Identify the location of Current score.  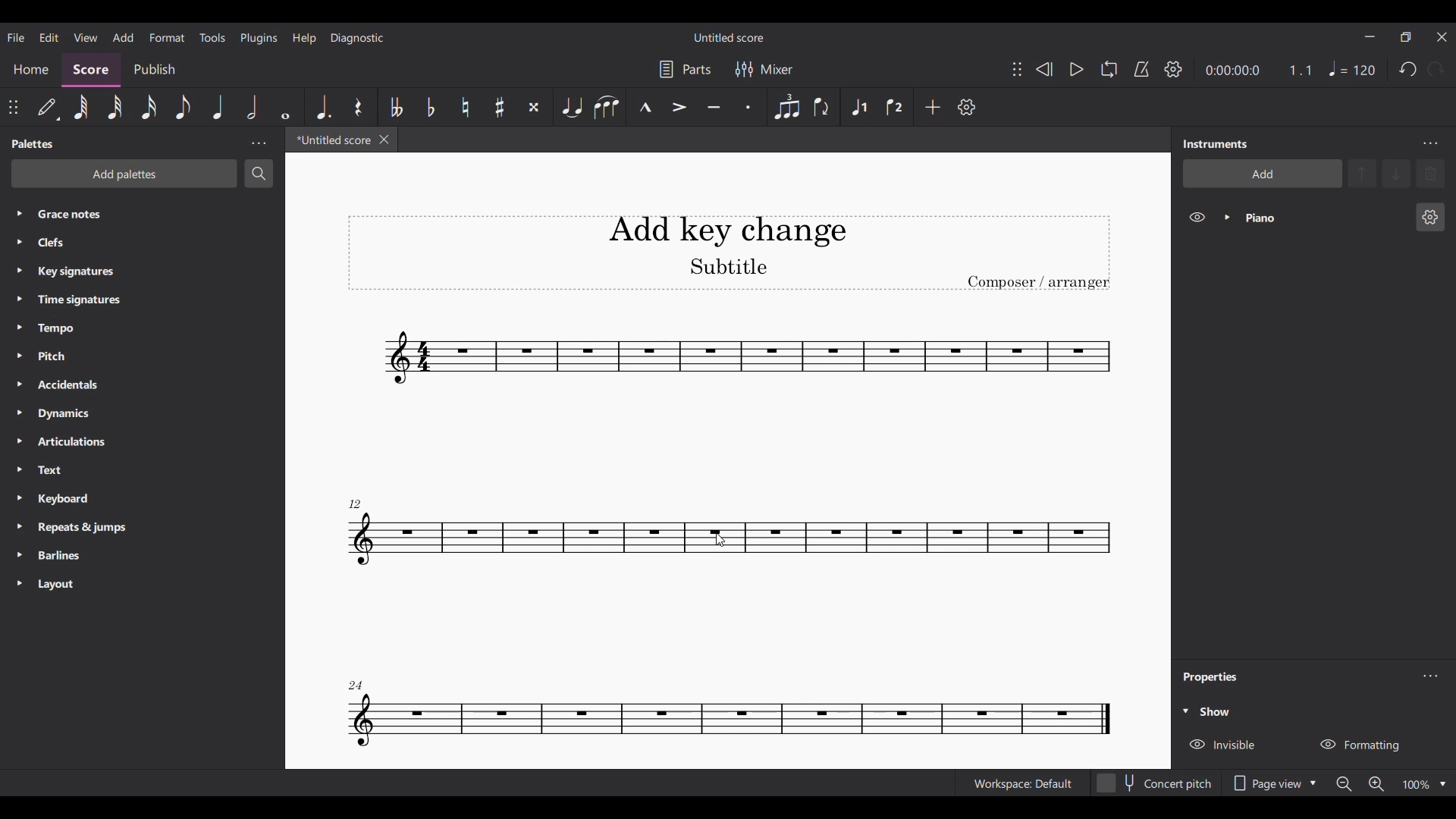
(730, 535).